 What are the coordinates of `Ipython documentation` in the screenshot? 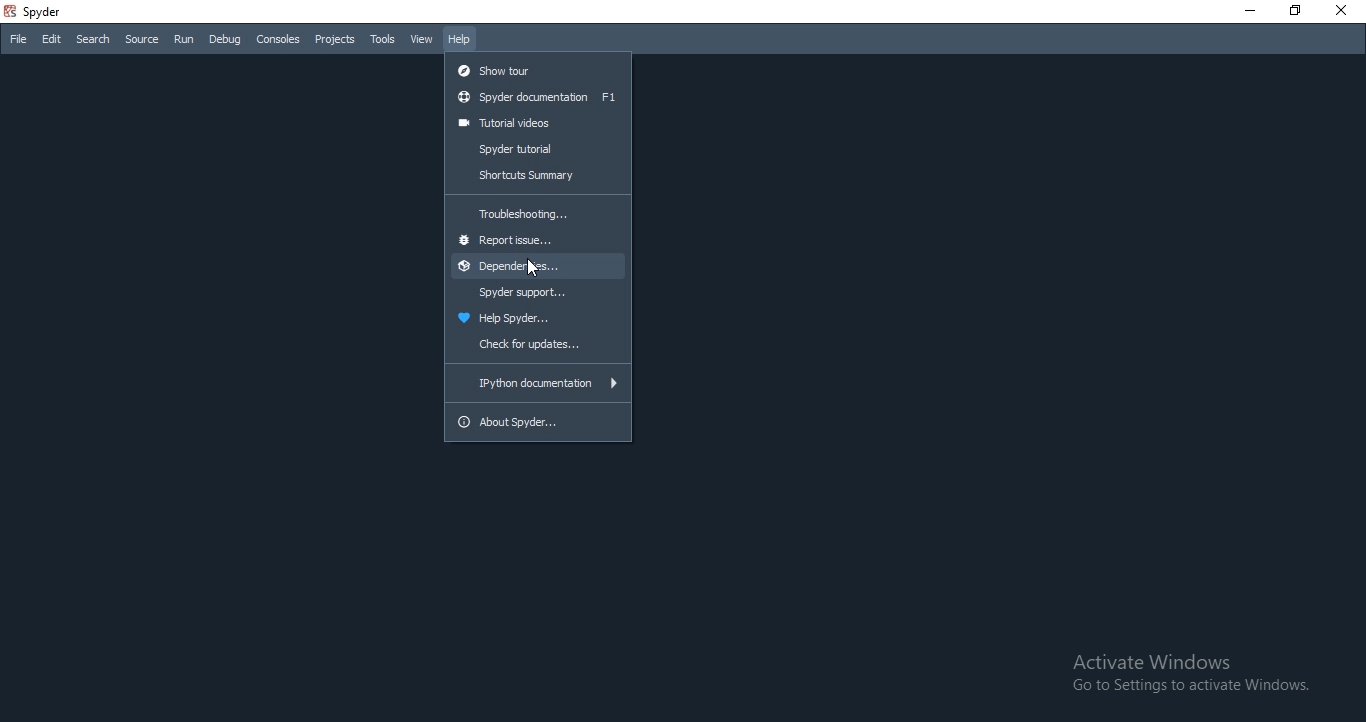 It's located at (538, 384).